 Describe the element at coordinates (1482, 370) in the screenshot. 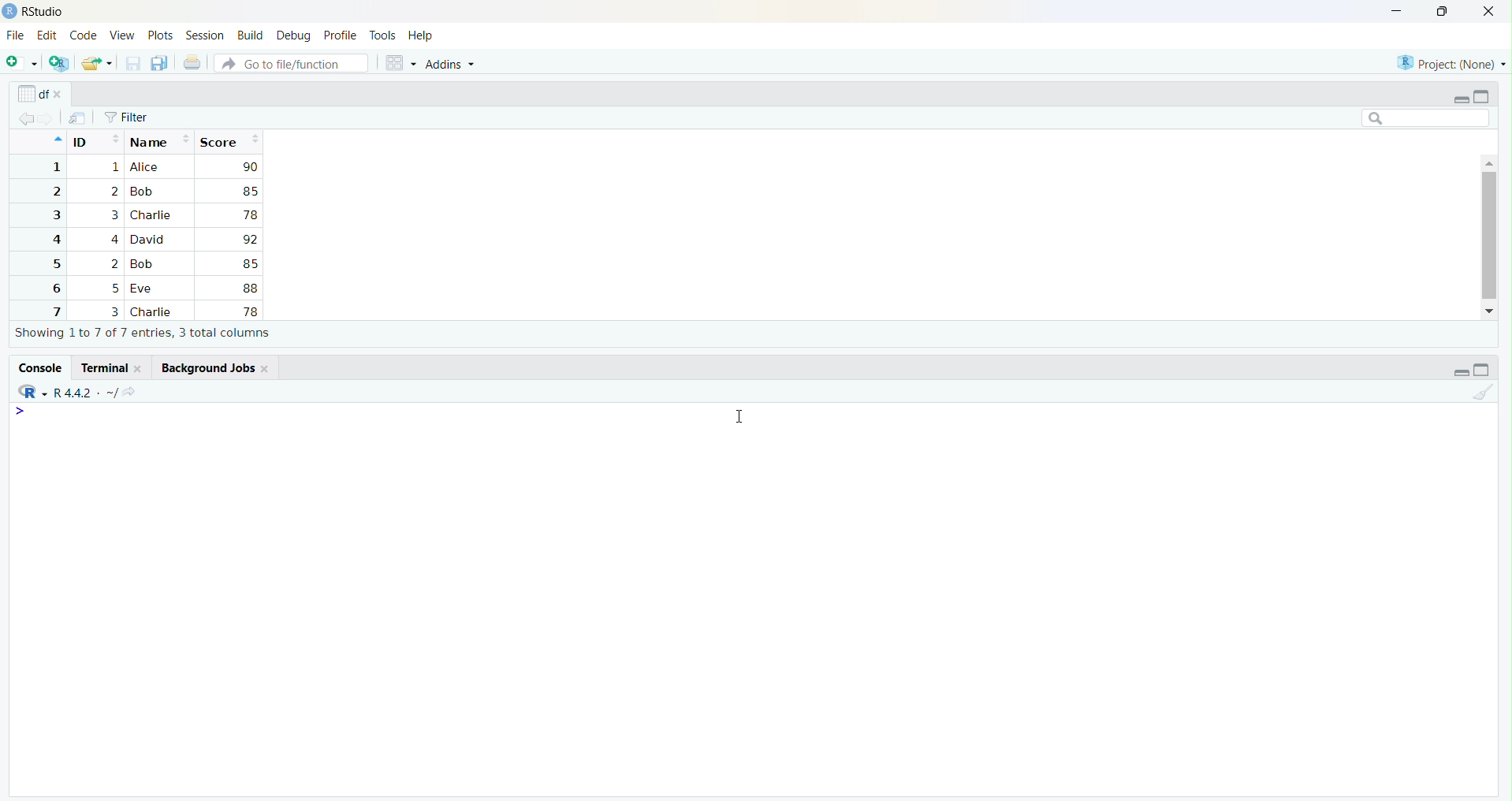

I see `maximize` at that location.